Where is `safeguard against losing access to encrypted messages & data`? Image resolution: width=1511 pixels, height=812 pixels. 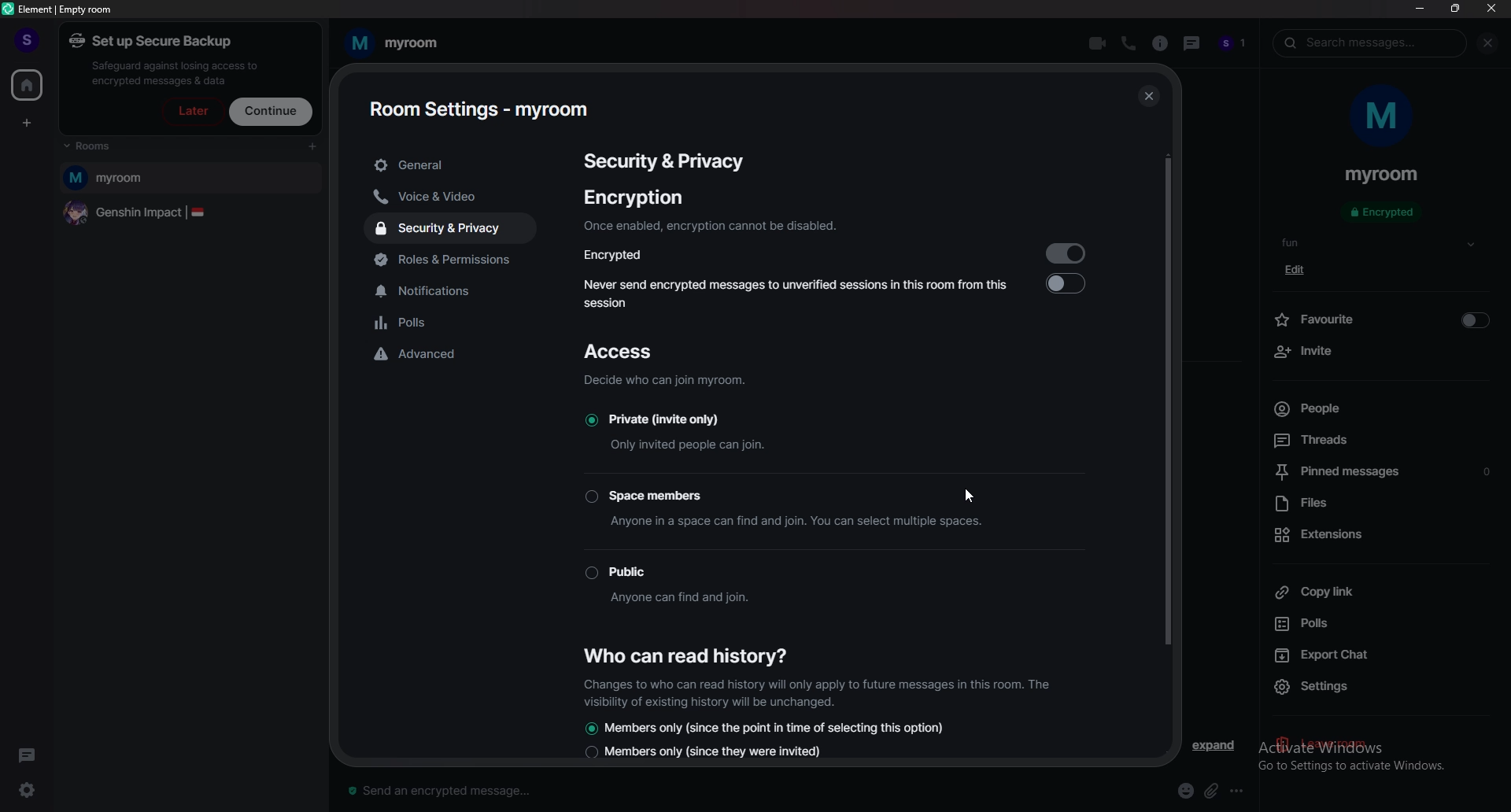
safeguard against losing access to encrypted messages & data is located at coordinates (176, 72).